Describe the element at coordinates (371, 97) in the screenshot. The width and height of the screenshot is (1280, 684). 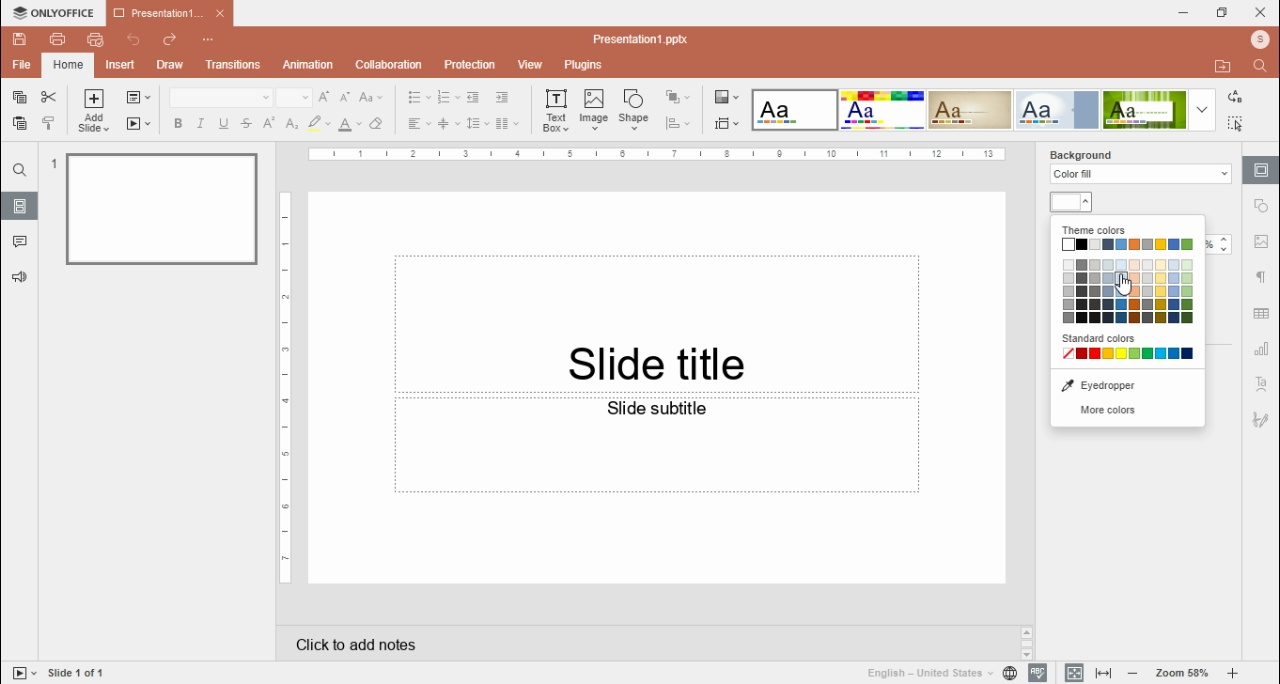
I see `change case` at that location.